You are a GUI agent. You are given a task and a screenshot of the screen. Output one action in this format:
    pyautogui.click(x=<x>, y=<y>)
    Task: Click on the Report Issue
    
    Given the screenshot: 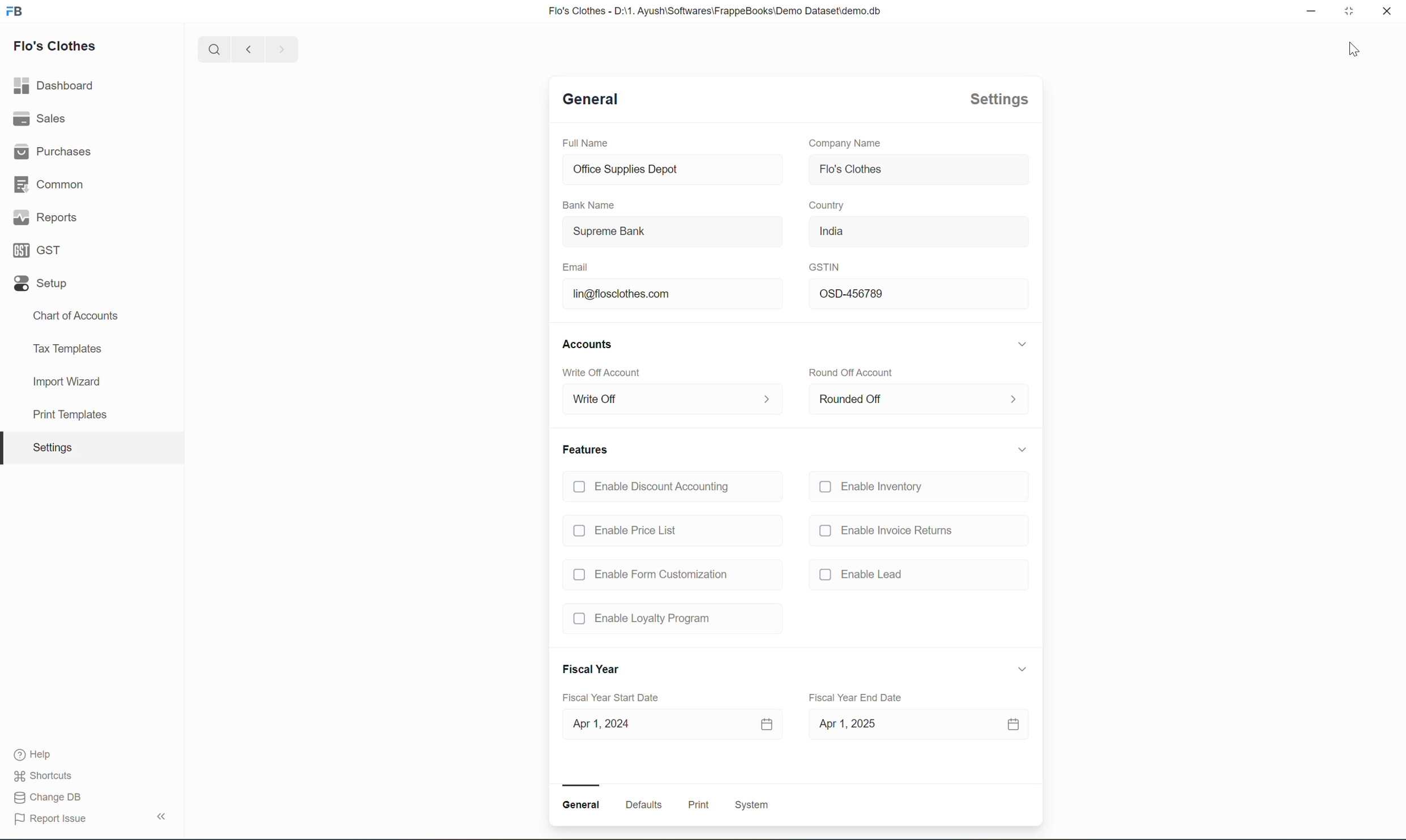 What is the action you would take?
    pyautogui.click(x=49, y=818)
    